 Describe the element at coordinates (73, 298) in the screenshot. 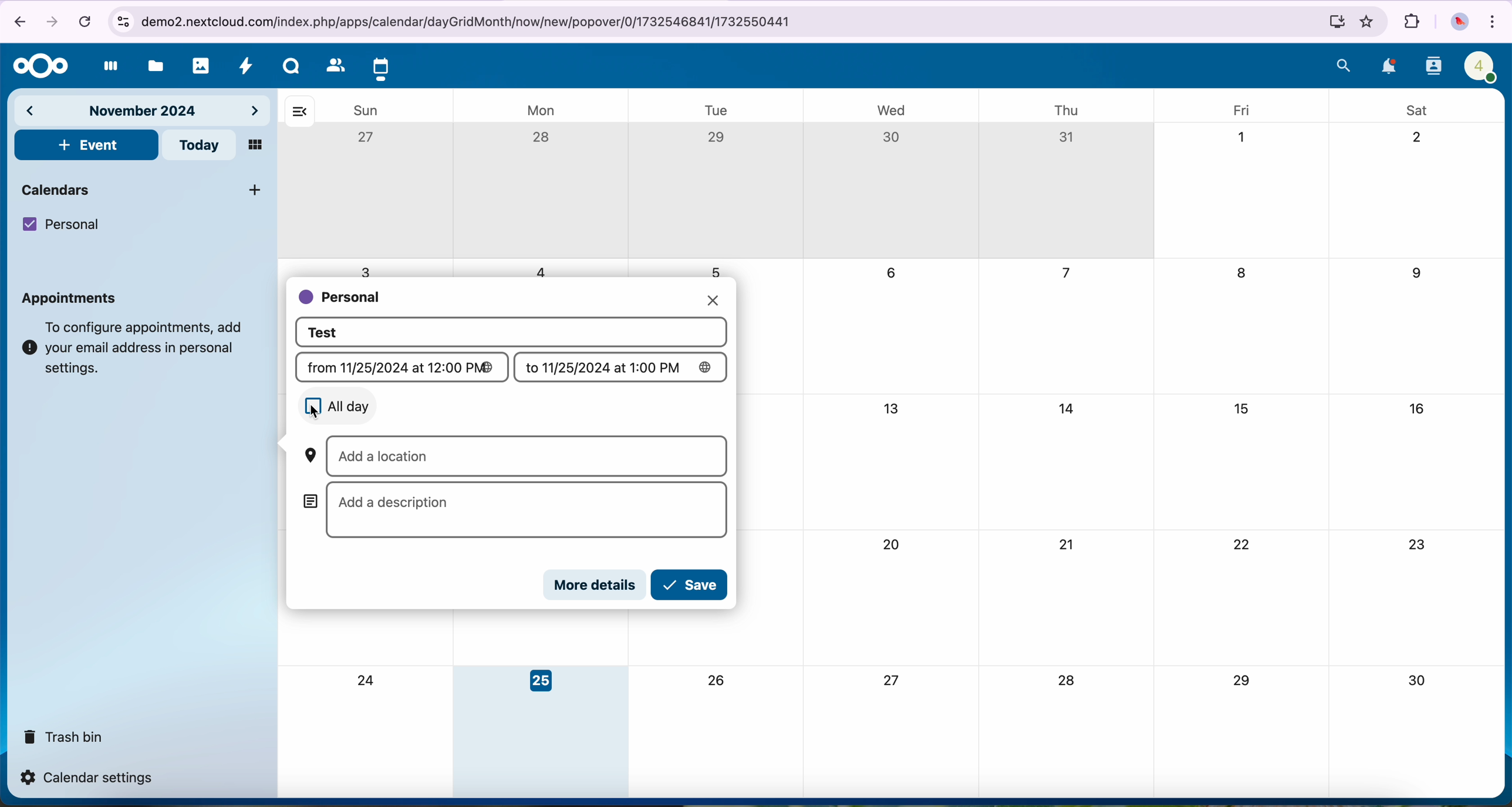

I see `appointments` at that location.